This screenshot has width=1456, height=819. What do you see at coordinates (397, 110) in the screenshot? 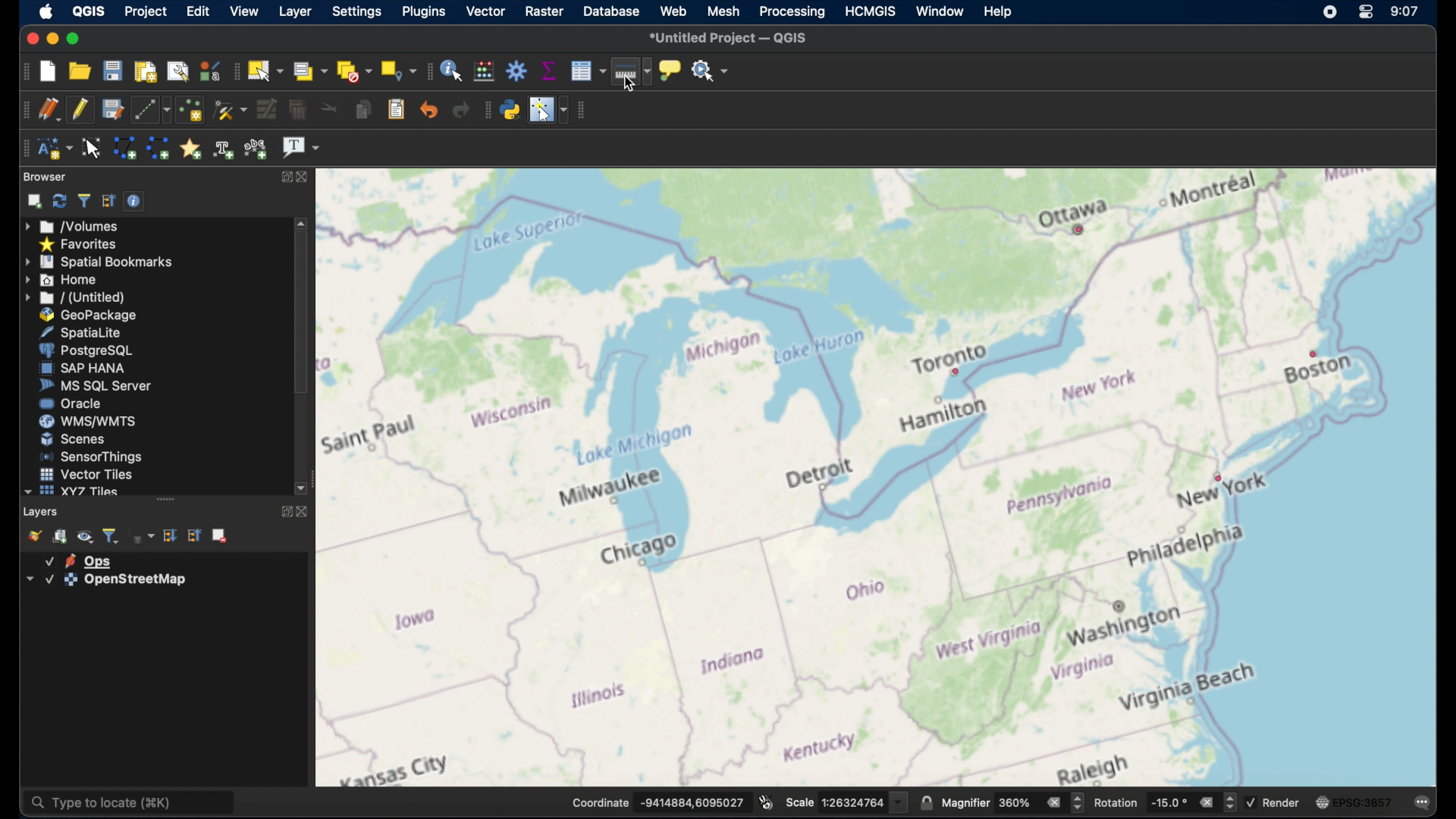
I see `paste features` at bounding box center [397, 110].